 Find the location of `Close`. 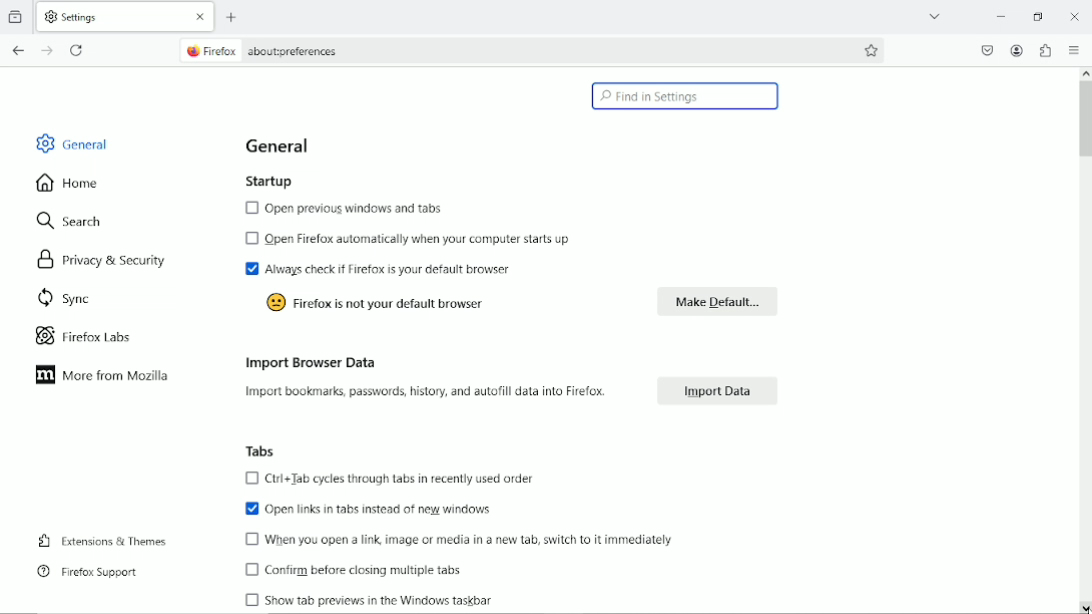

Close is located at coordinates (1074, 16).